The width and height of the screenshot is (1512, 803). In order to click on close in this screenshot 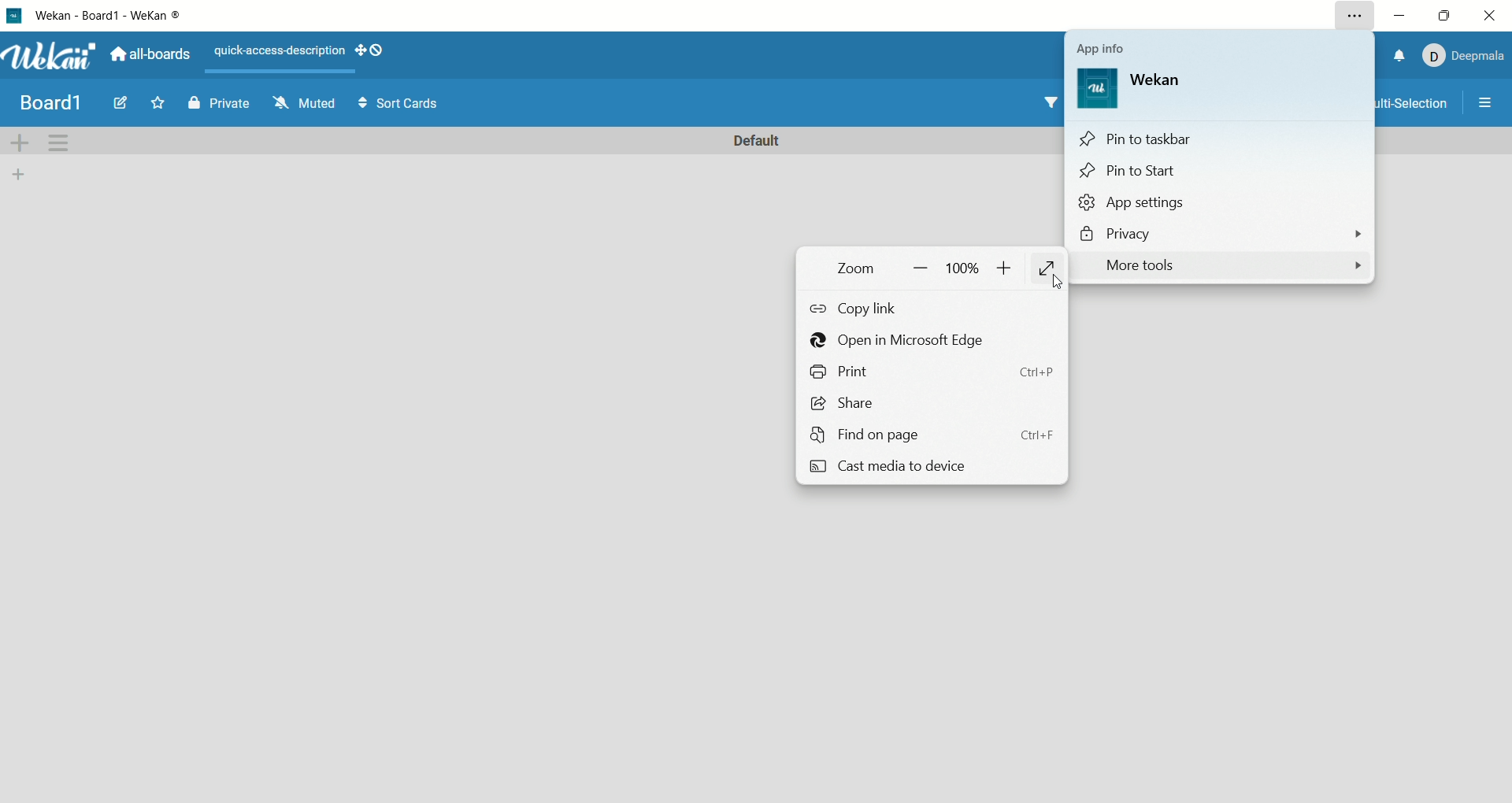, I will do `click(1492, 13)`.